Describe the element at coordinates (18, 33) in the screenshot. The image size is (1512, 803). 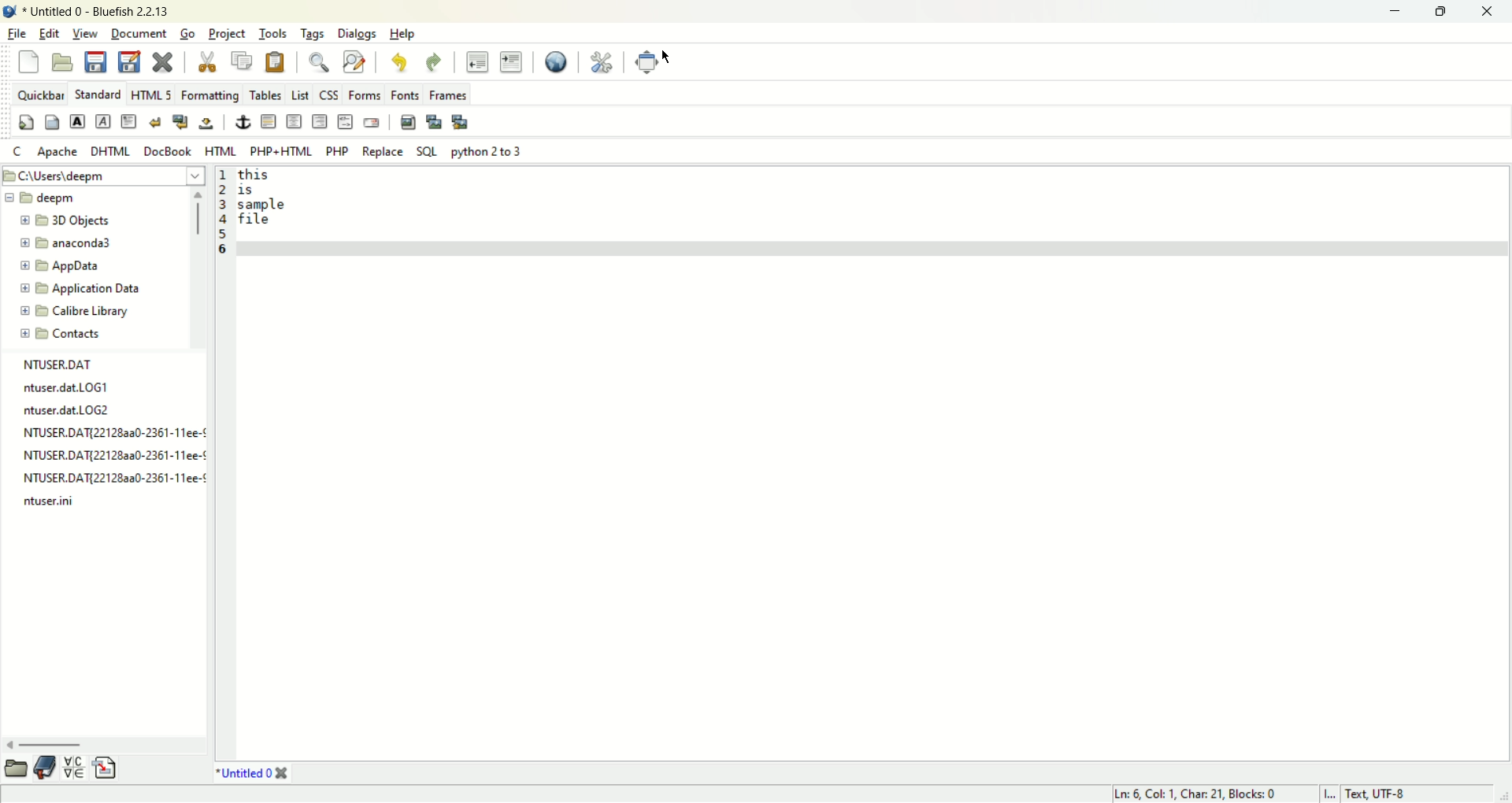
I see `file` at that location.